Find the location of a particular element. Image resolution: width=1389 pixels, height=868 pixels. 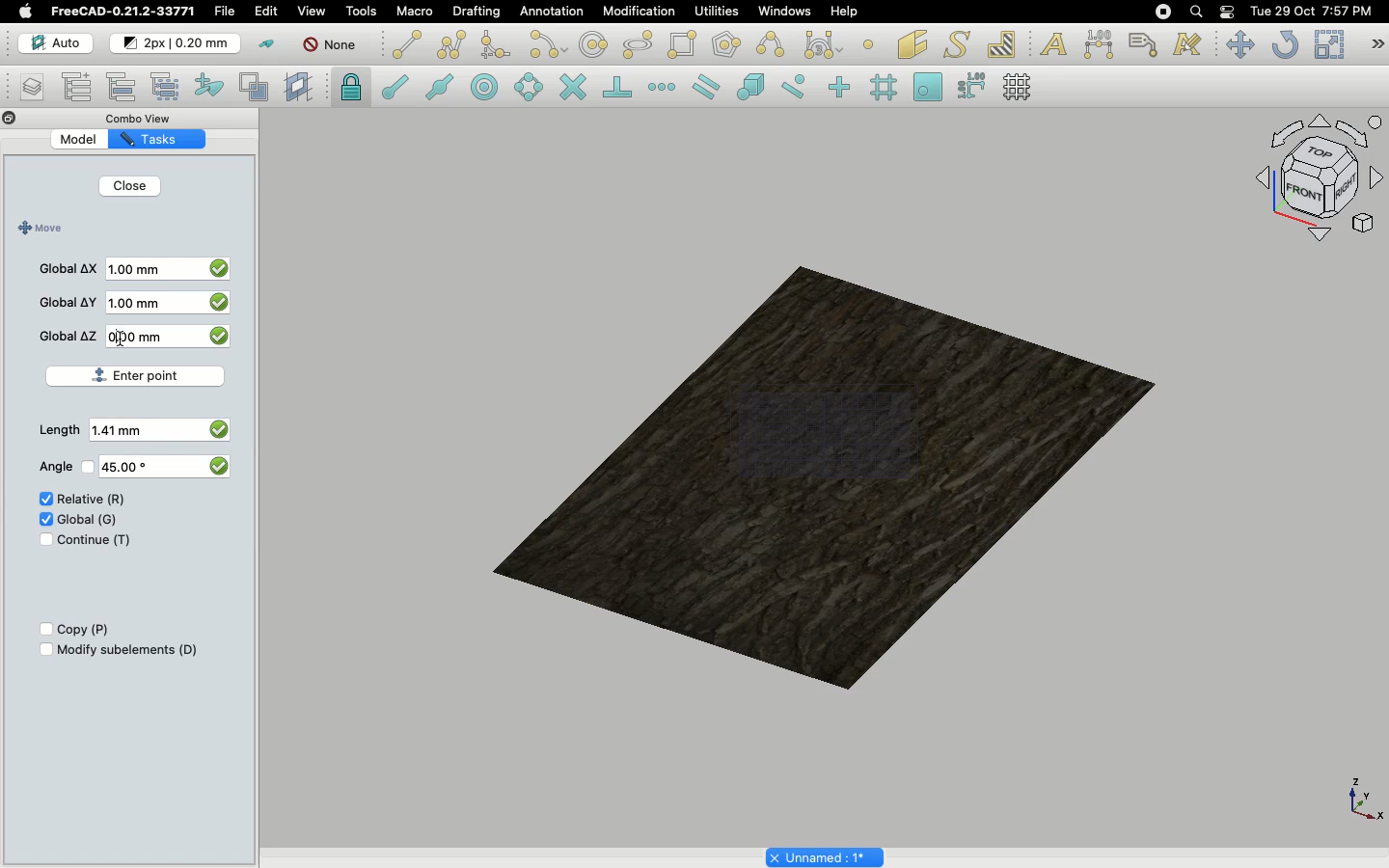

Snap midpoint is located at coordinates (441, 90).